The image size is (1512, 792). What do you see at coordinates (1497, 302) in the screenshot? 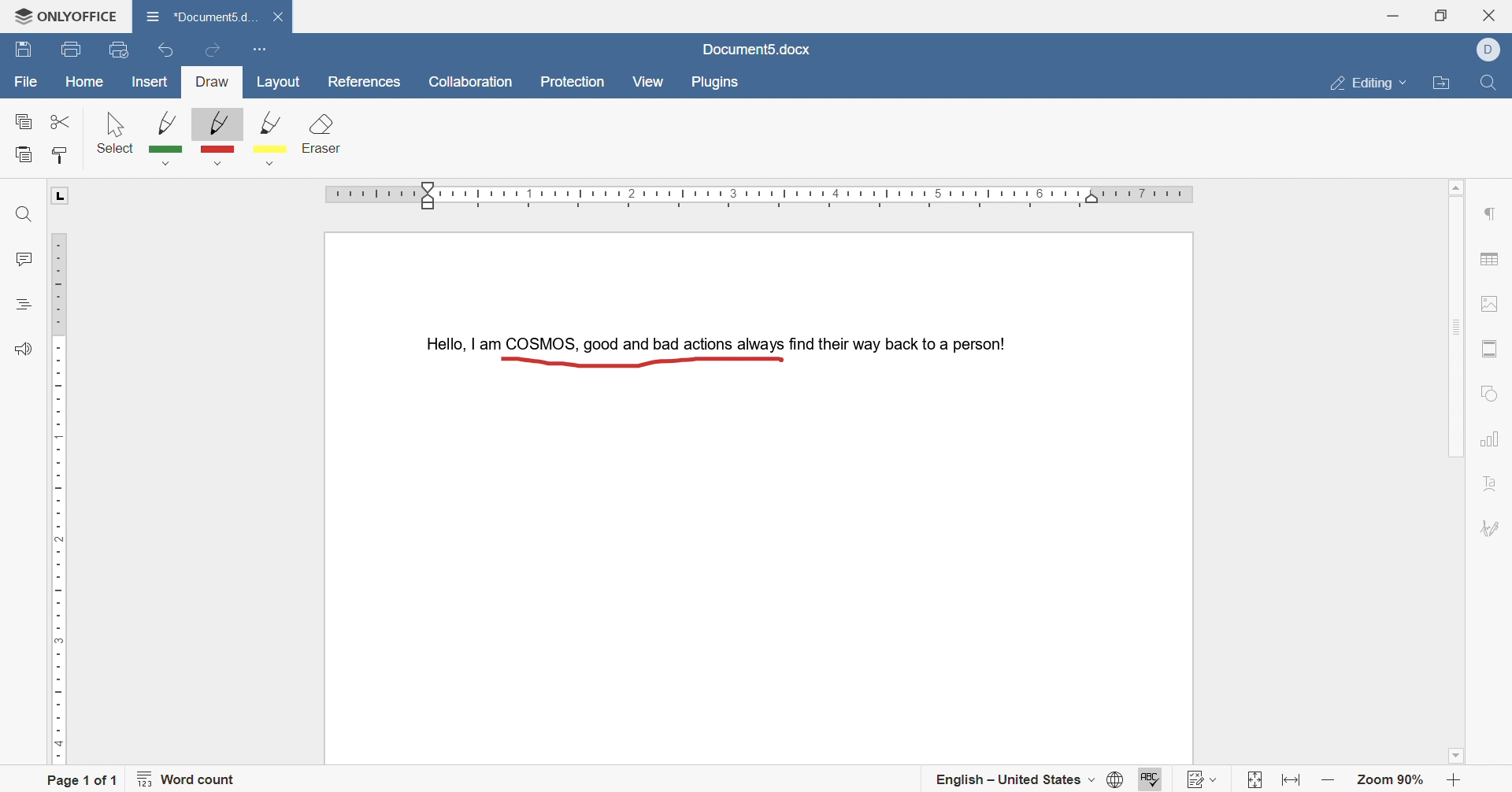
I see `image settings` at bounding box center [1497, 302].